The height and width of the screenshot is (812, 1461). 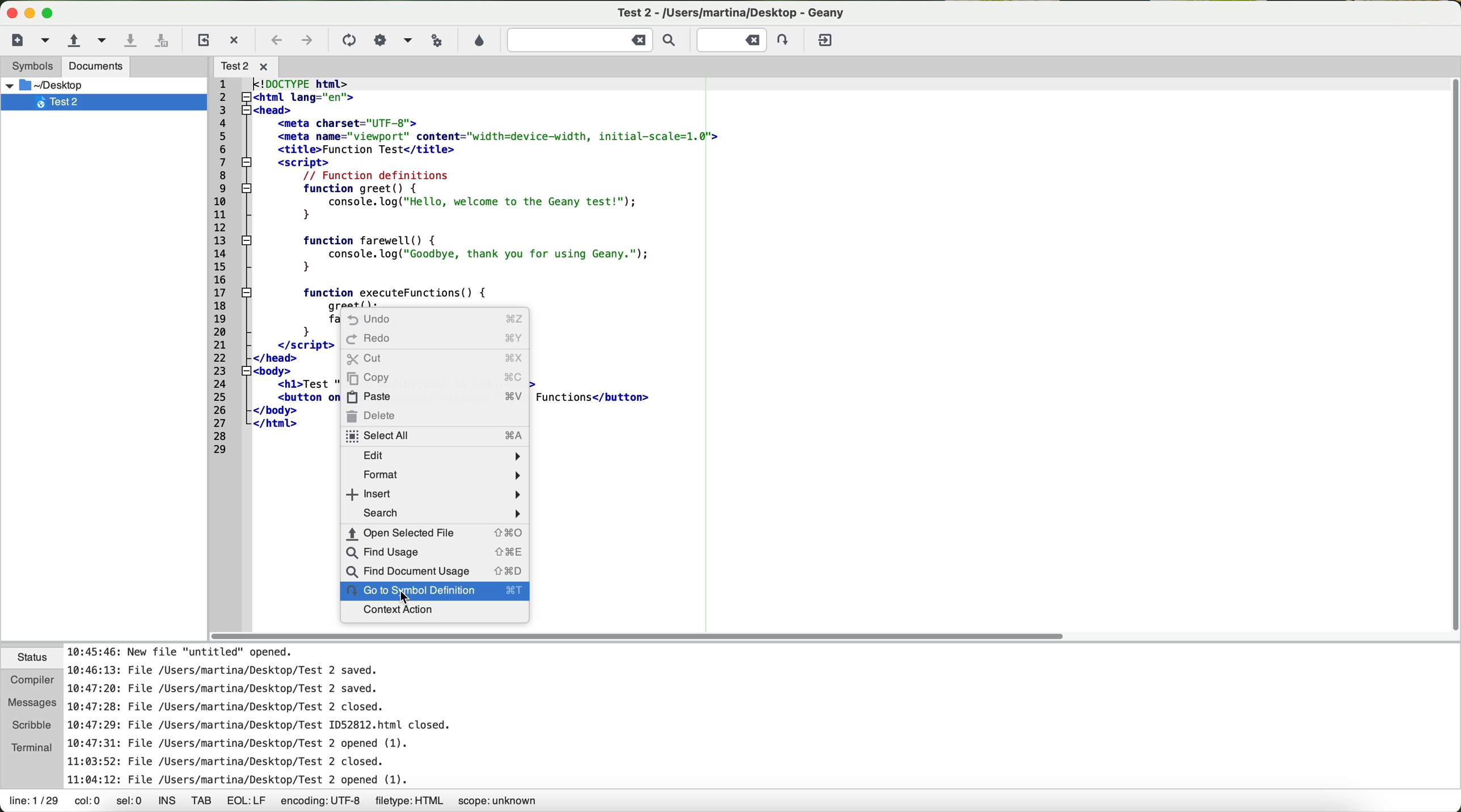 What do you see at coordinates (432, 435) in the screenshot?
I see `select all` at bounding box center [432, 435].